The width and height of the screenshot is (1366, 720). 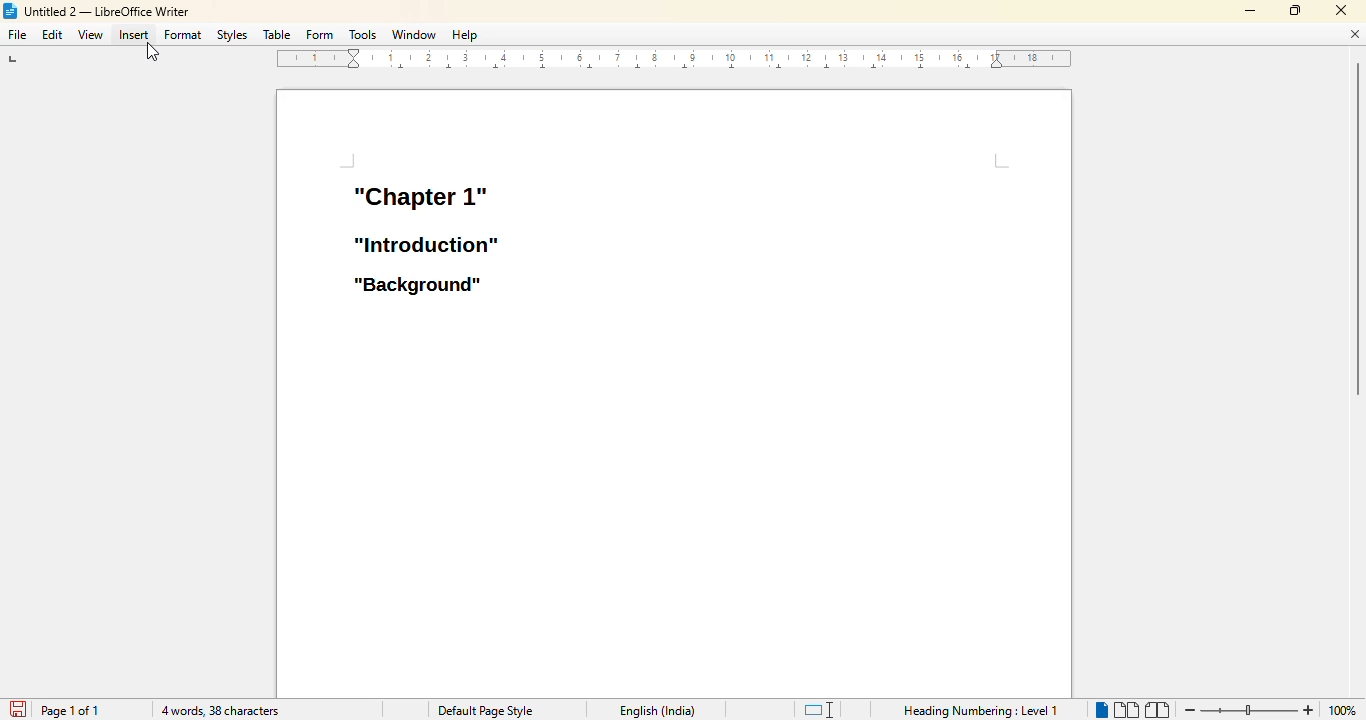 What do you see at coordinates (362, 34) in the screenshot?
I see `tools` at bounding box center [362, 34].